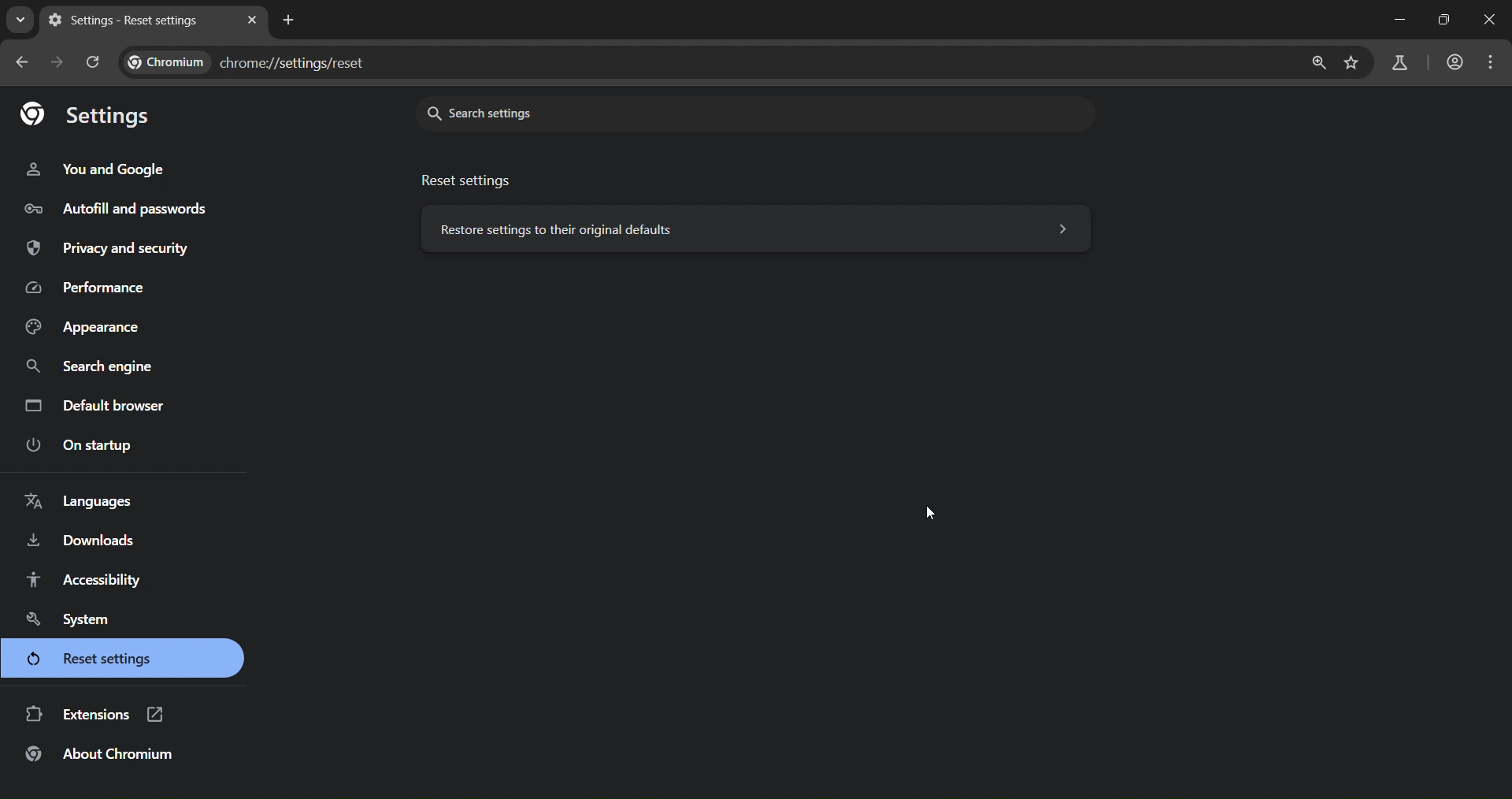 This screenshot has height=799, width=1512. What do you see at coordinates (127, 20) in the screenshot?
I see `settings - reset settings` at bounding box center [127, 20].